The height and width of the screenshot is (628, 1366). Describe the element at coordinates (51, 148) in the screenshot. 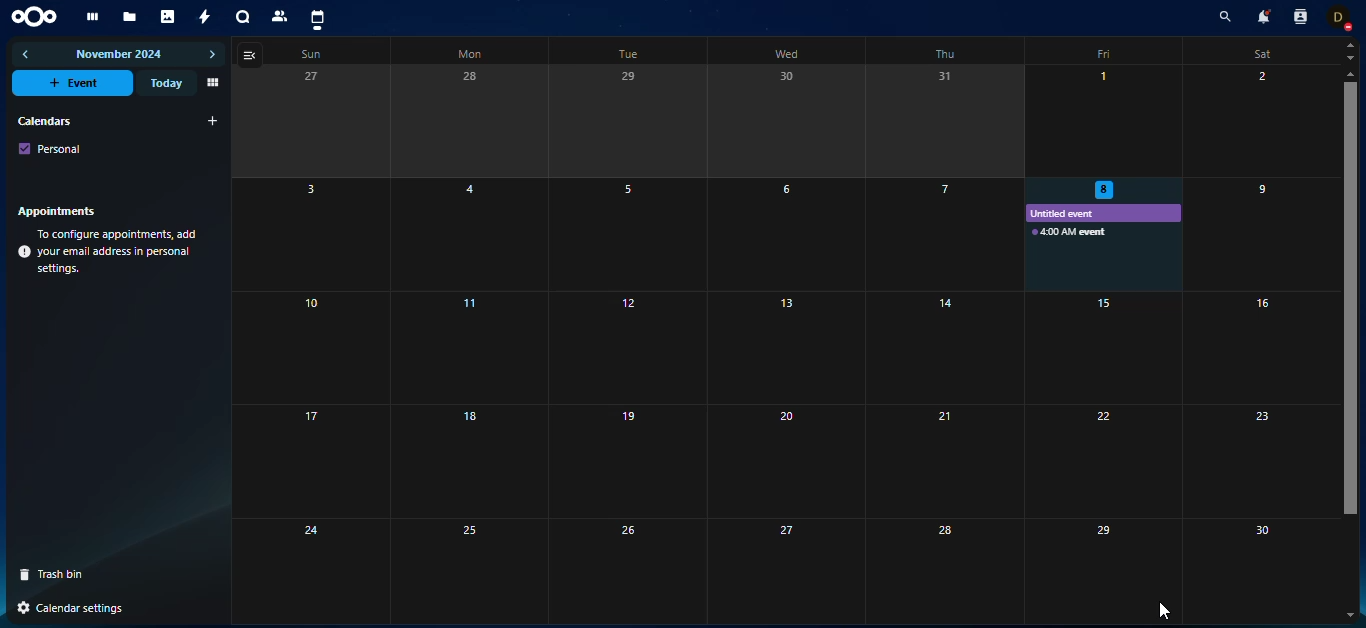

I see `personal` at that location.